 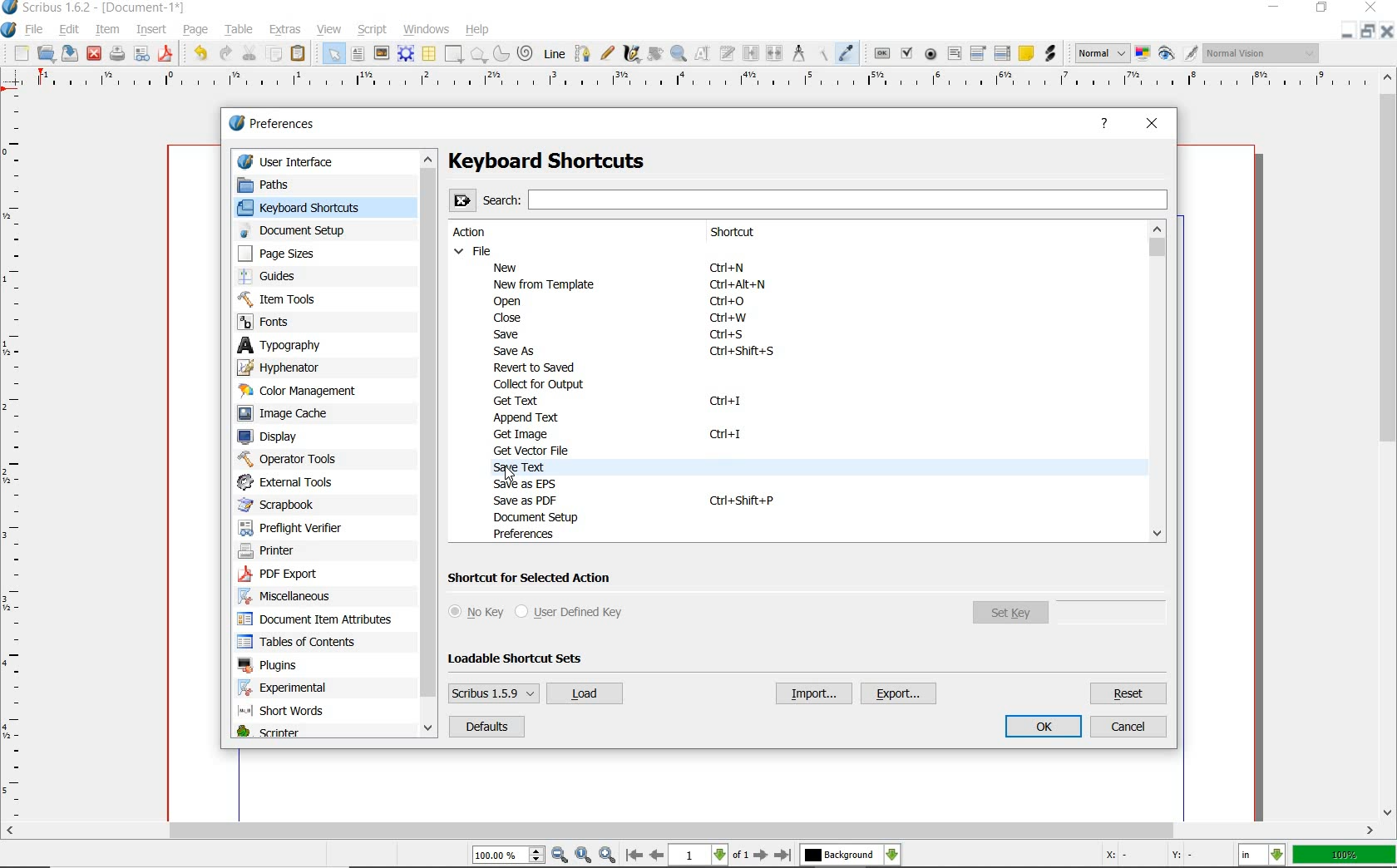 I want to click on eye dropper, so click(x=847, y=52).